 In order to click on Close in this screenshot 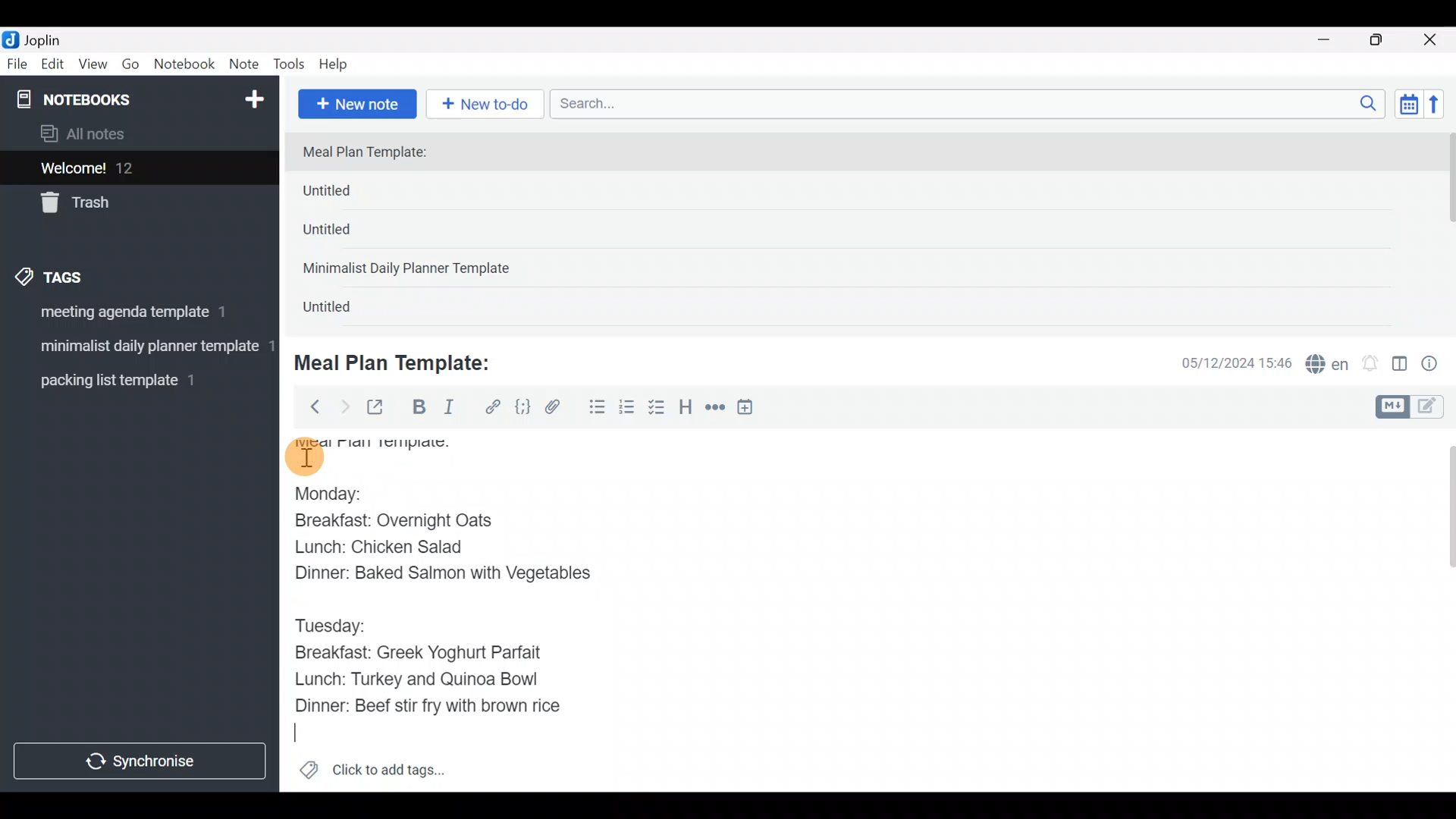, I will do `click(1432, 41)`.